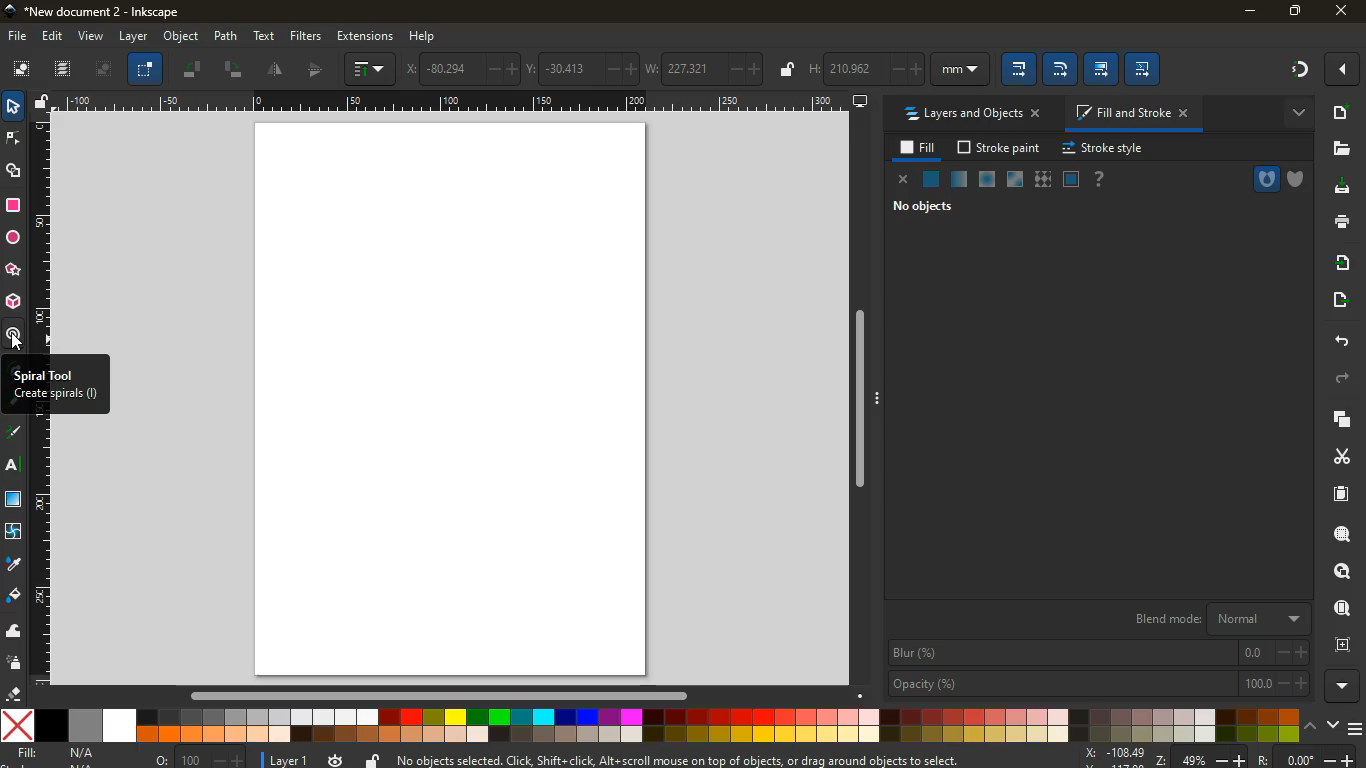 The height and width of the screenshot is (768, 1366). Describe the element at coordinates (1072, 180) in the screenshot. I see `screen` at that location.